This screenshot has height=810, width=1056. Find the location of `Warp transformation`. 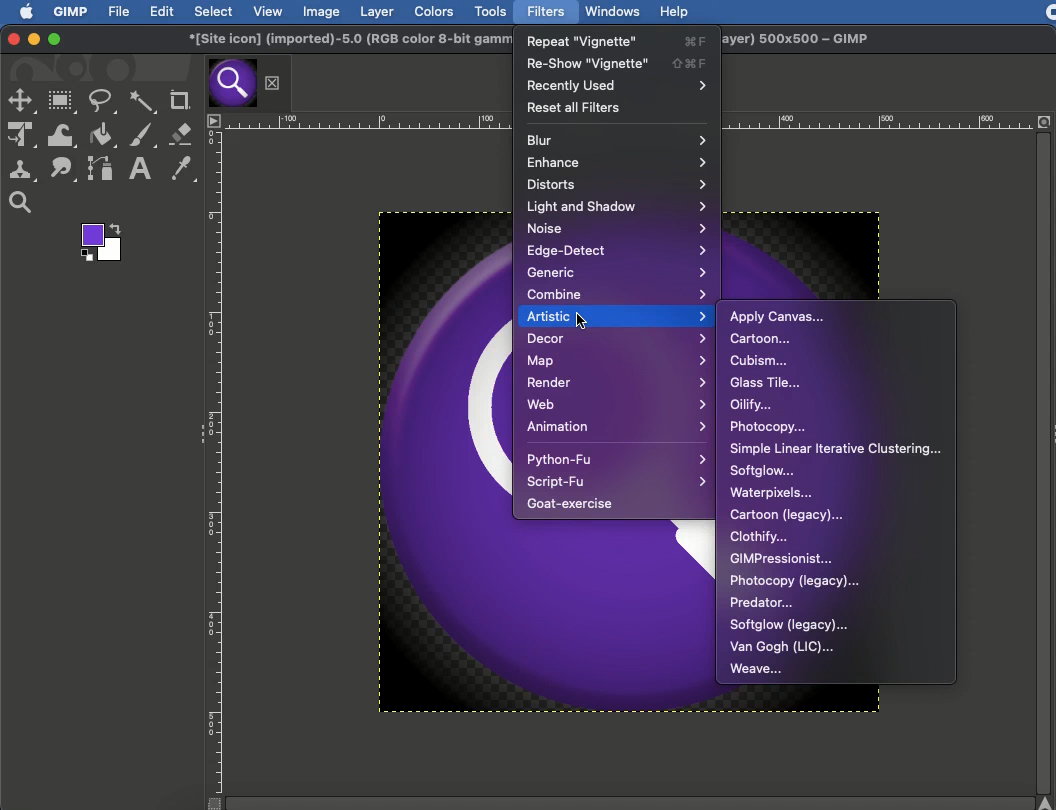

Warp transformation is located at coordinates (62, 136).